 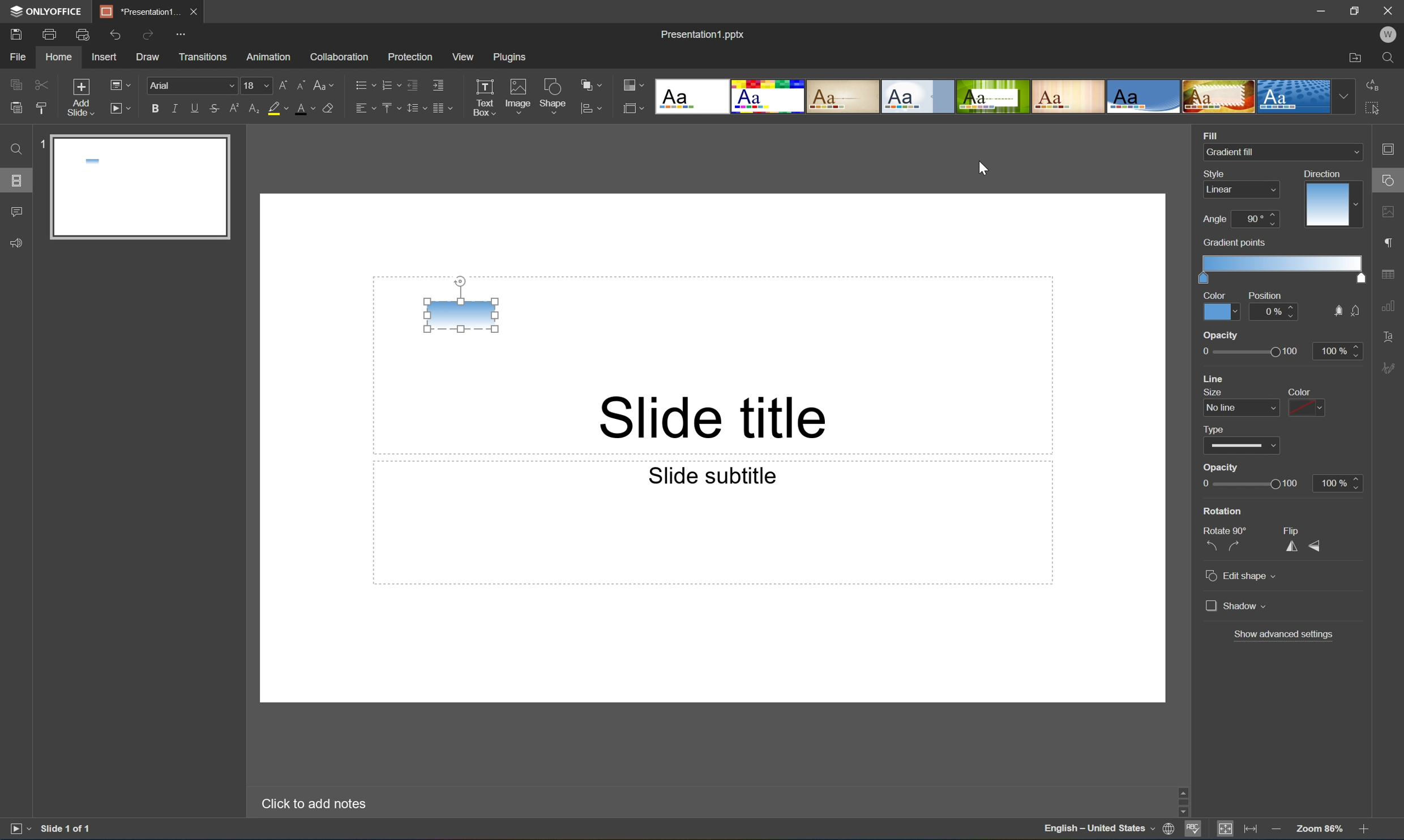 What do you see at coordinates (1215, 294) in the screenshot?
I see `Color` at bounding box center [1215, 294].